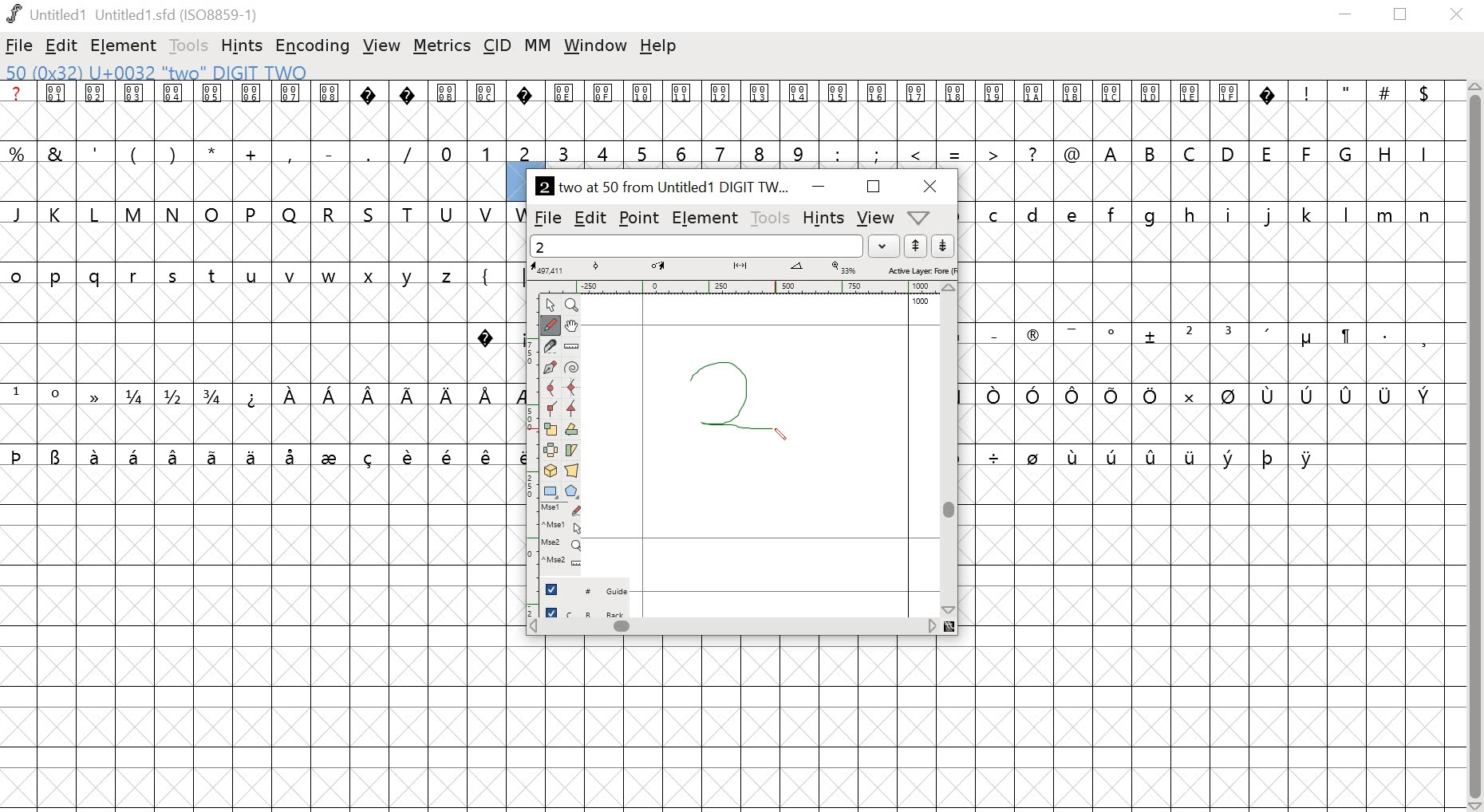 This screenshot has height=812, width=1484. I want to click on close, so click(930, 186).